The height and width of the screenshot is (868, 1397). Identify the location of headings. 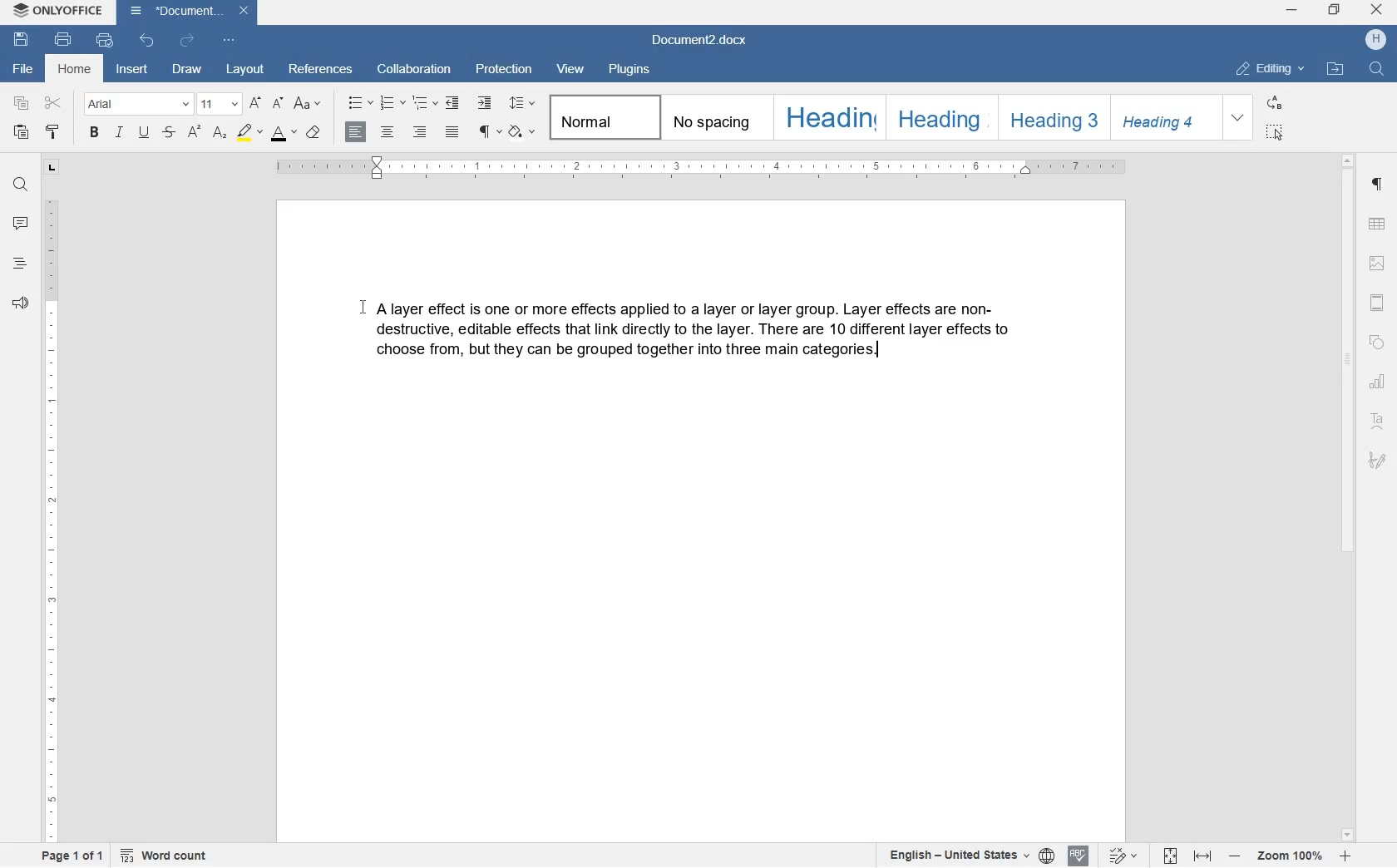
(20, 265).